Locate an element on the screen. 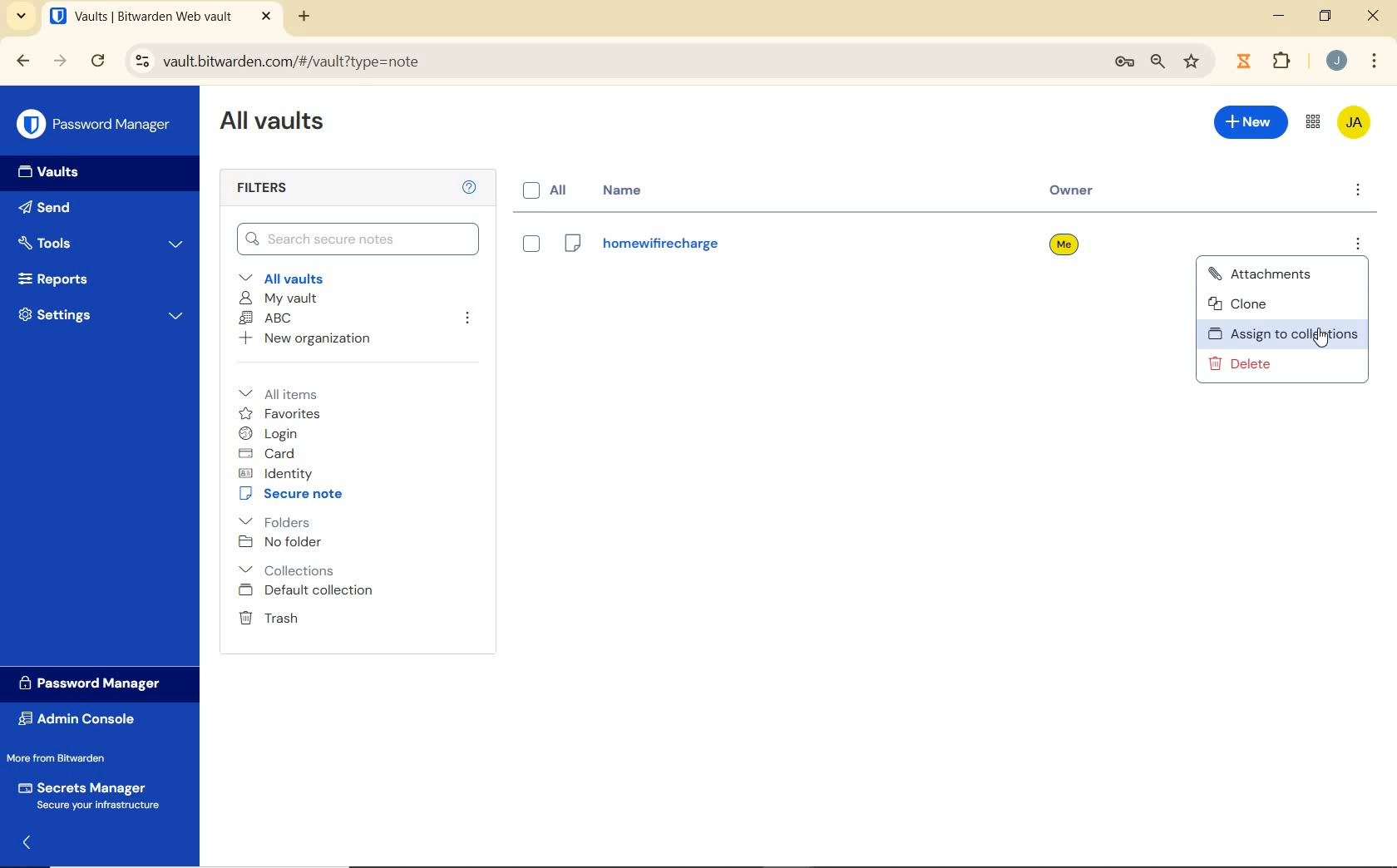 The height and width of the screenshot is (868, 1397). delete is located at coordinates (1254, 367).